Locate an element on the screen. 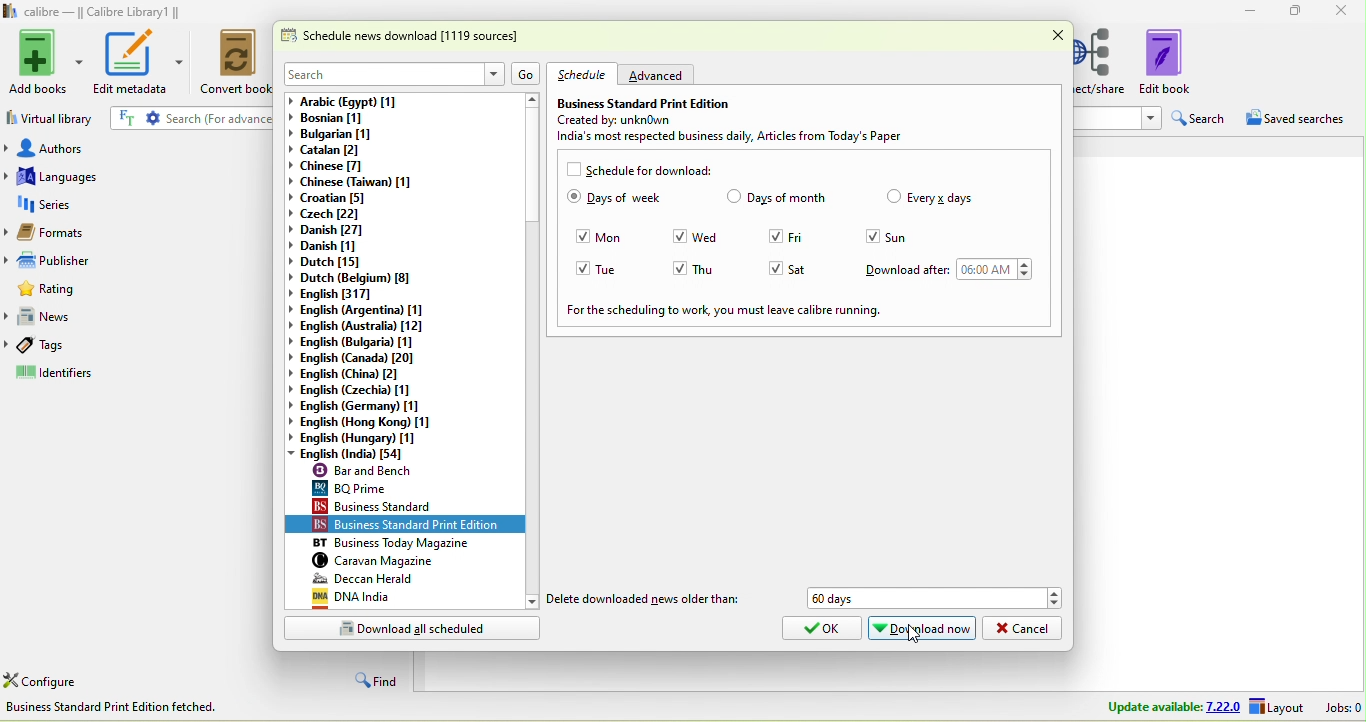 The height and width of the screenshot is (722, 1366). created by: unknown is located at coordinates (646, 120).